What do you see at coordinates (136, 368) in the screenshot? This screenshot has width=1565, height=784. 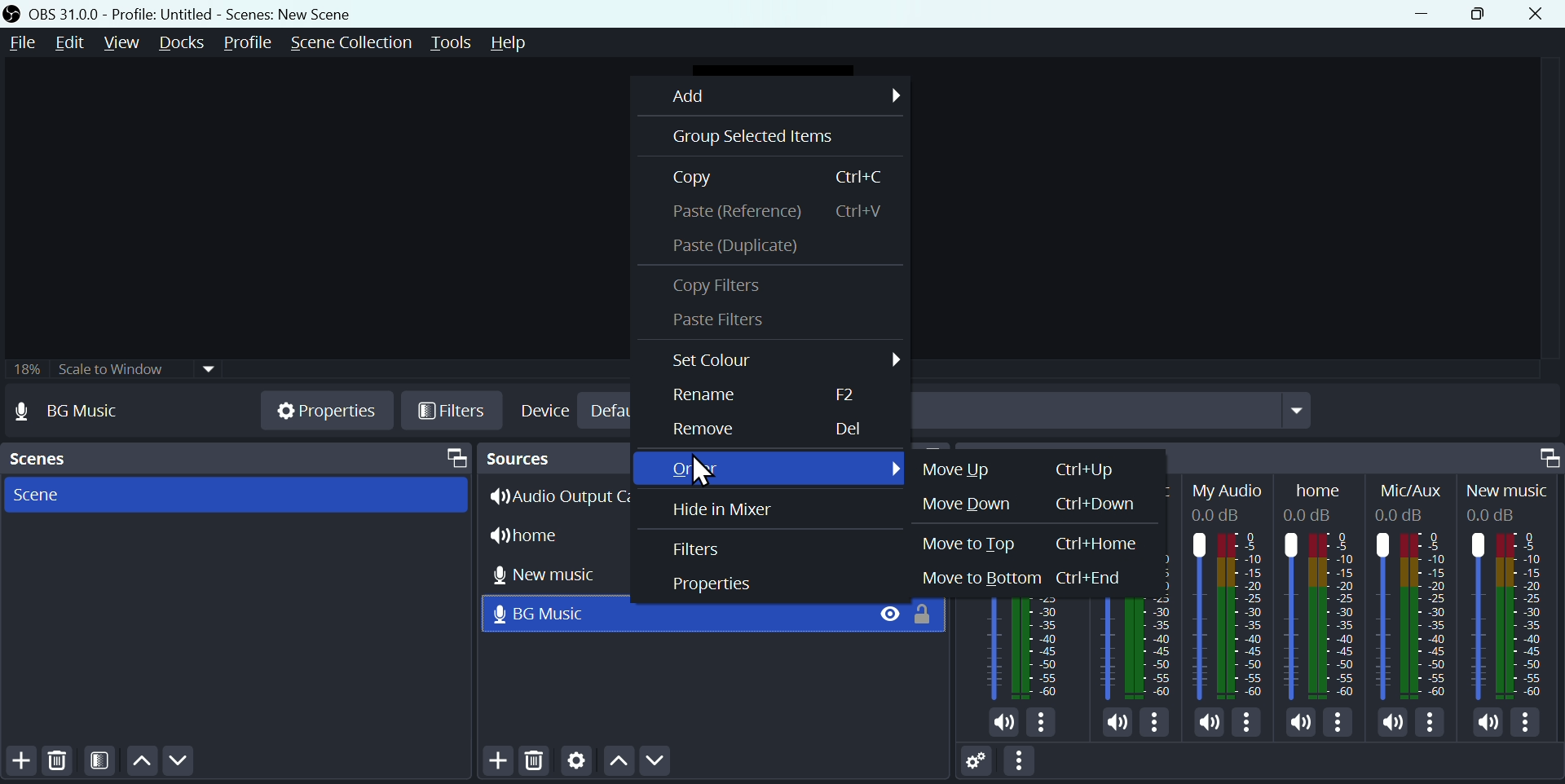 I see `Scale to window` at bounding box center [136, 368].